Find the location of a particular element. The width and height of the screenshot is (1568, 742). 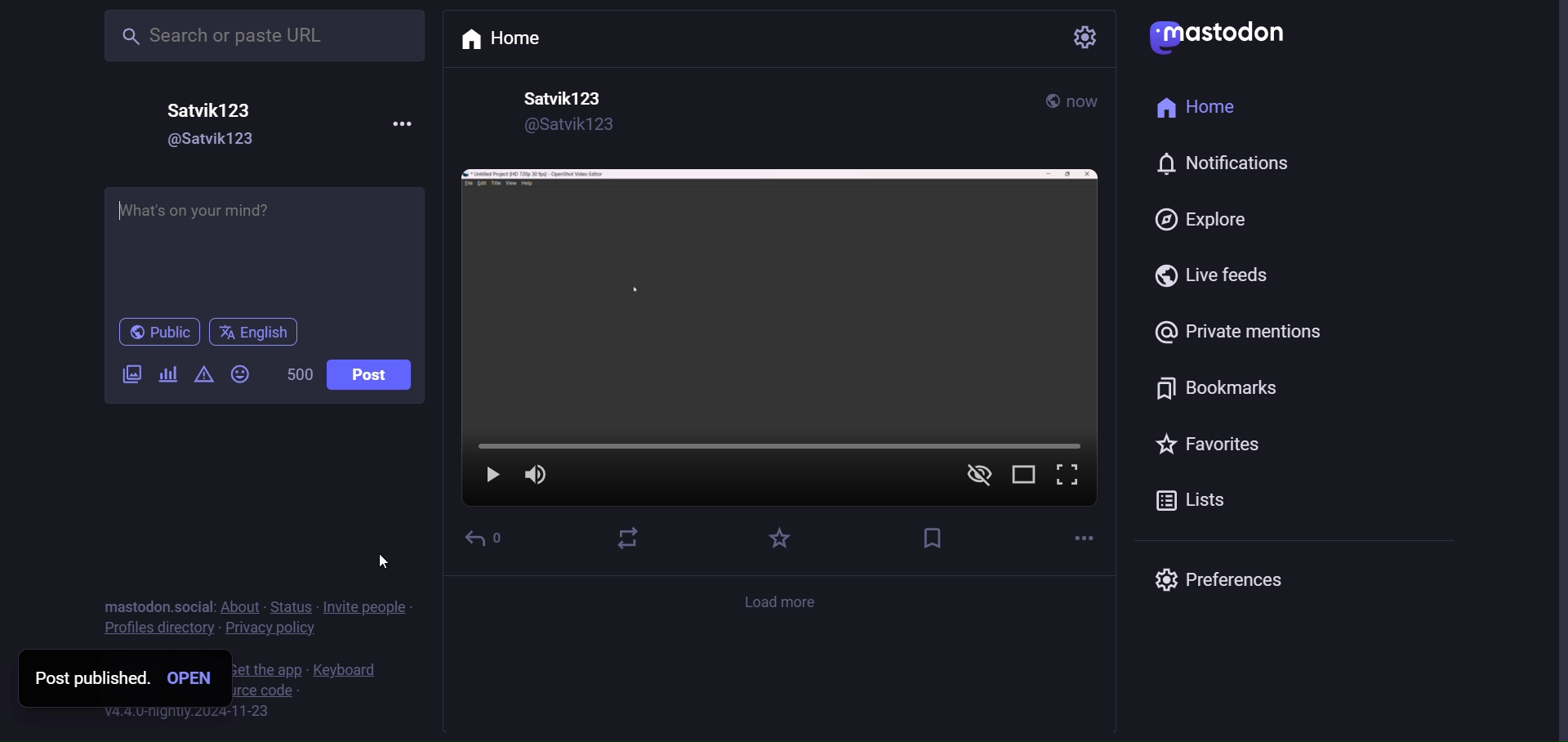

What's on your mind? is located at coordinates (265, 244).